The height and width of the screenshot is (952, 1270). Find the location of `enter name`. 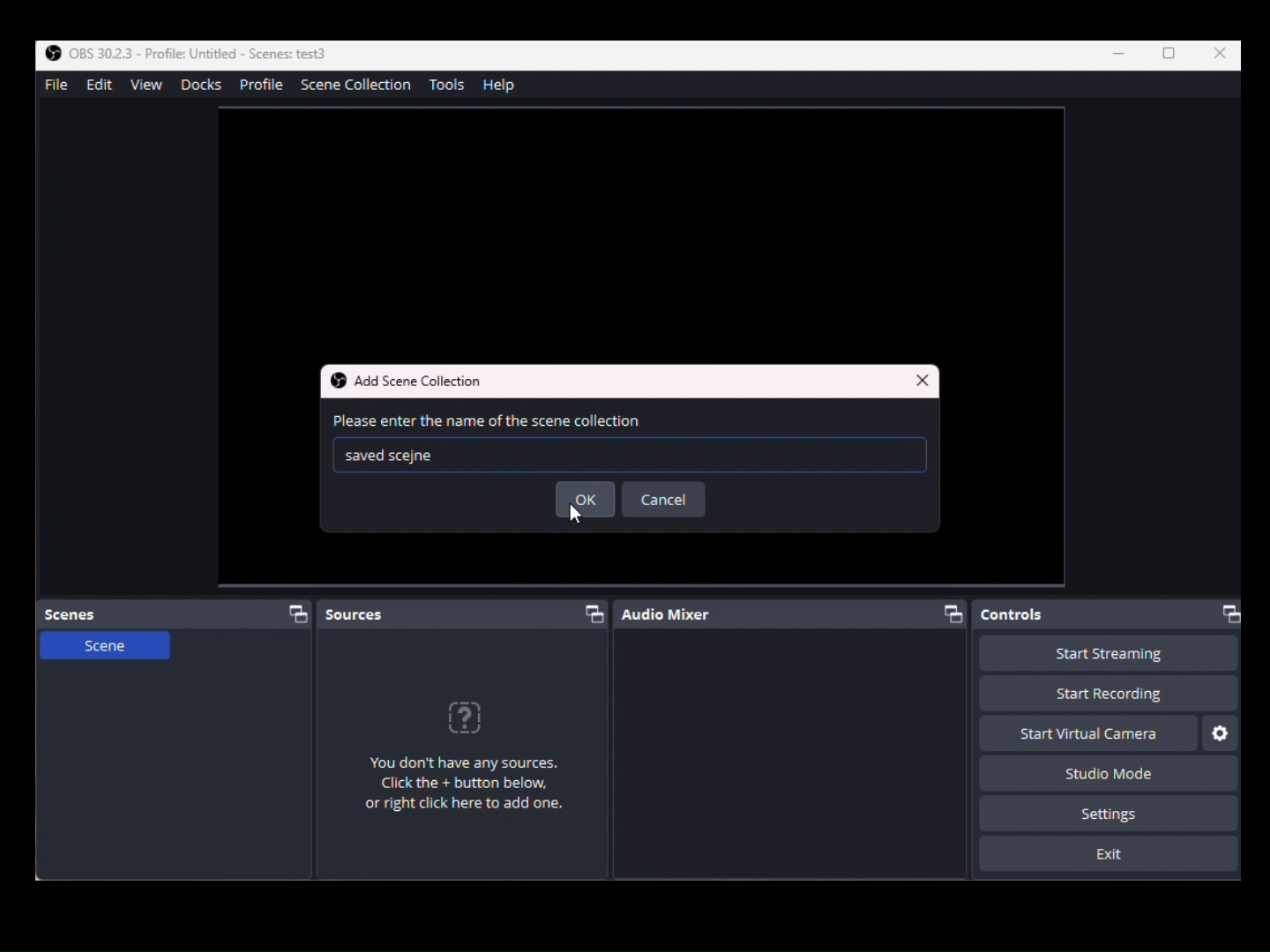

enter name is located at coordinates (489, 421).